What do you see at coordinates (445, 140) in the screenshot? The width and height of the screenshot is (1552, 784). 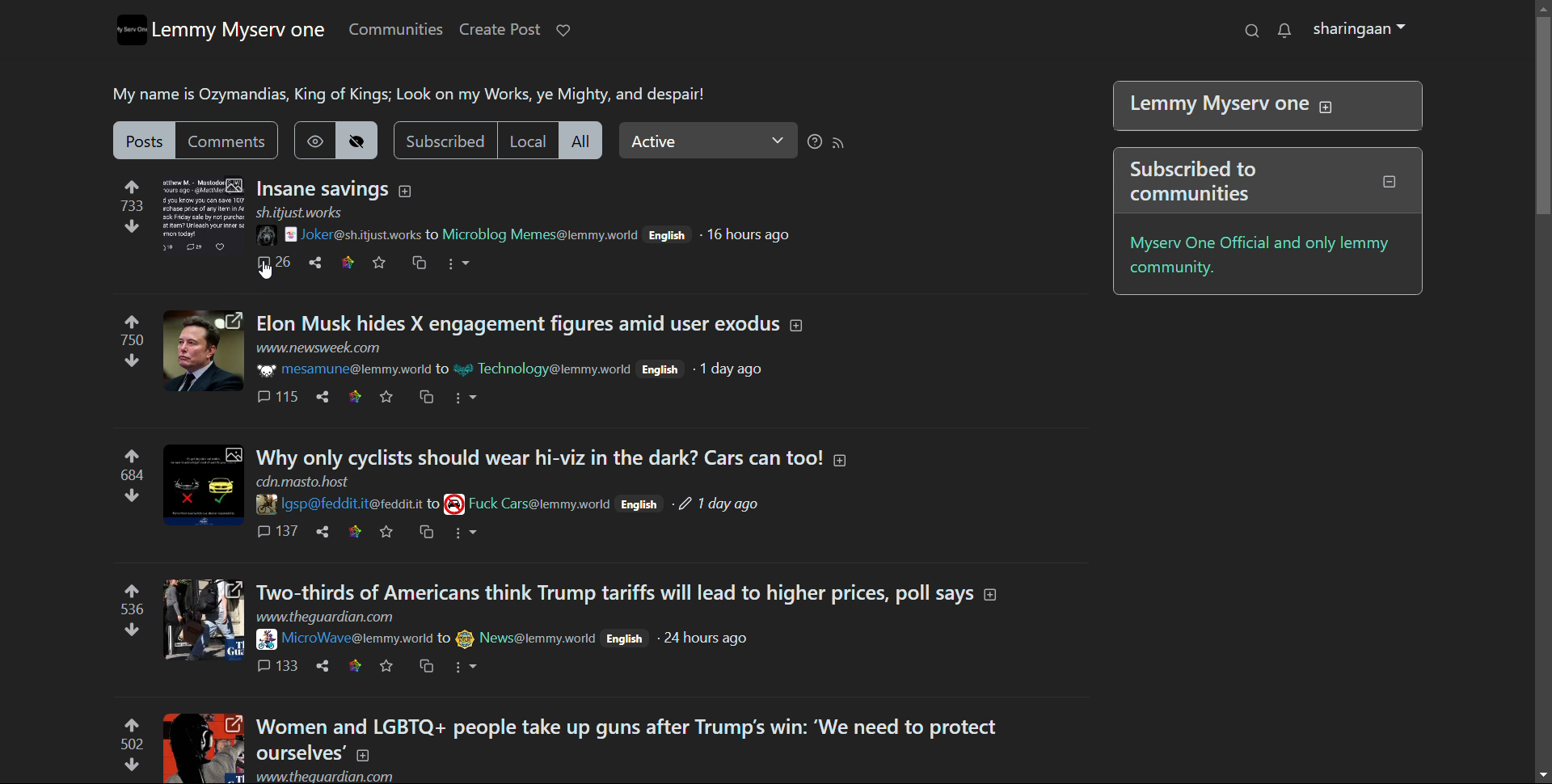 I see `subscribed` at bounding box center [445, 140].